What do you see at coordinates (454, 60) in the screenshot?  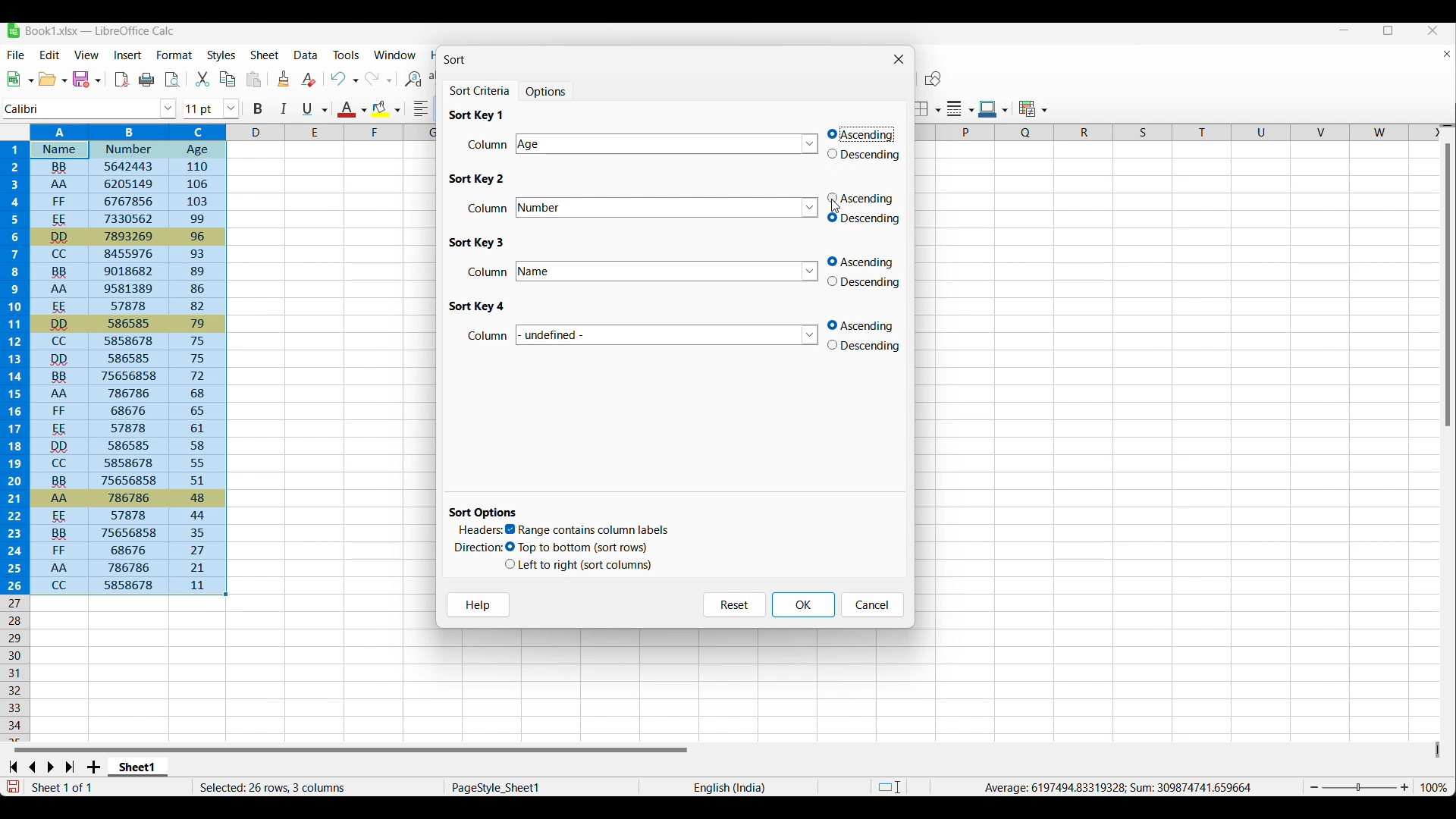 I see `Window title` at bounding box center [454, 60].